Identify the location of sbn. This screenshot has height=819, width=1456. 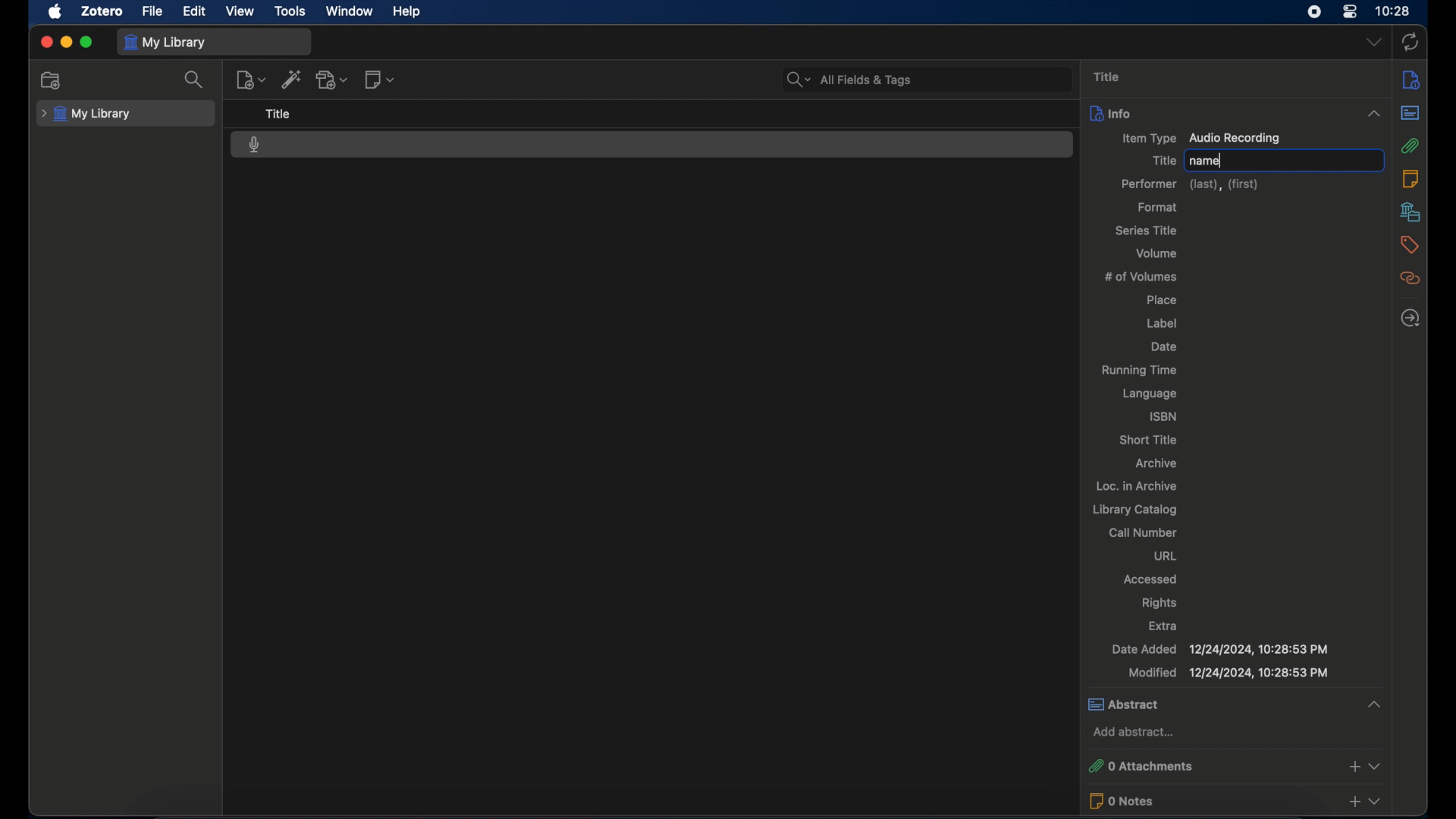
(1161, 416).